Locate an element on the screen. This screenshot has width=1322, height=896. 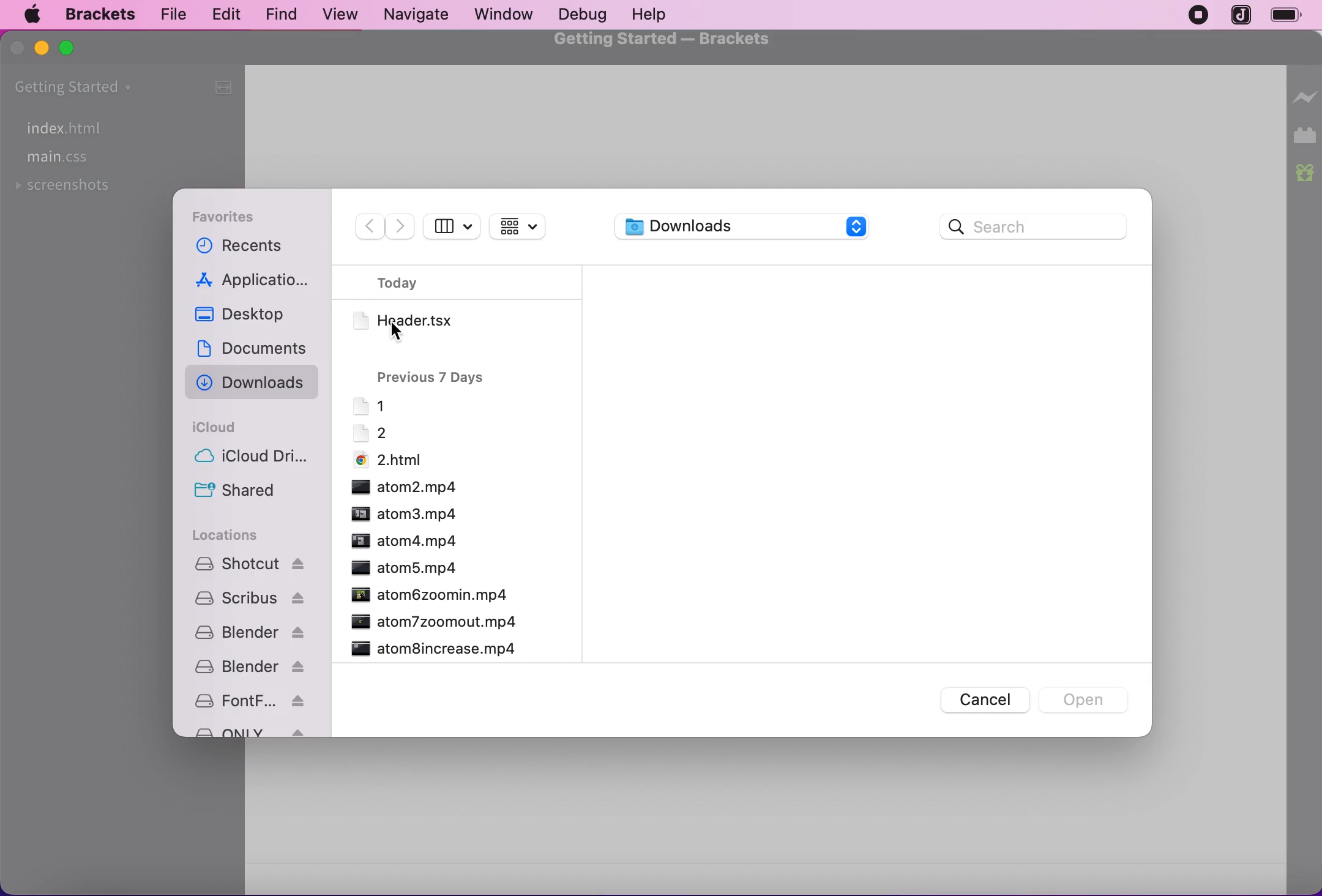
debug is located at coordinates (578, 15).